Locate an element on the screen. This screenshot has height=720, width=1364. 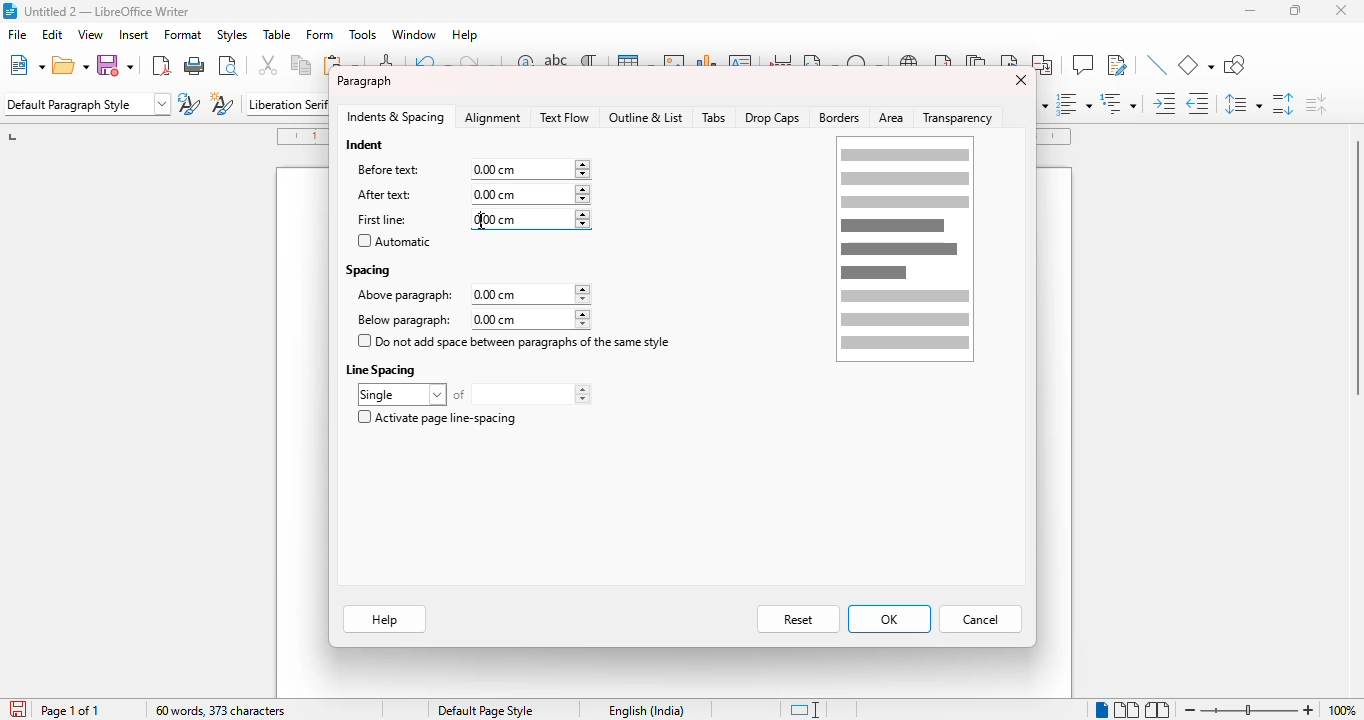
automatic is located at coordinates (394, 241).